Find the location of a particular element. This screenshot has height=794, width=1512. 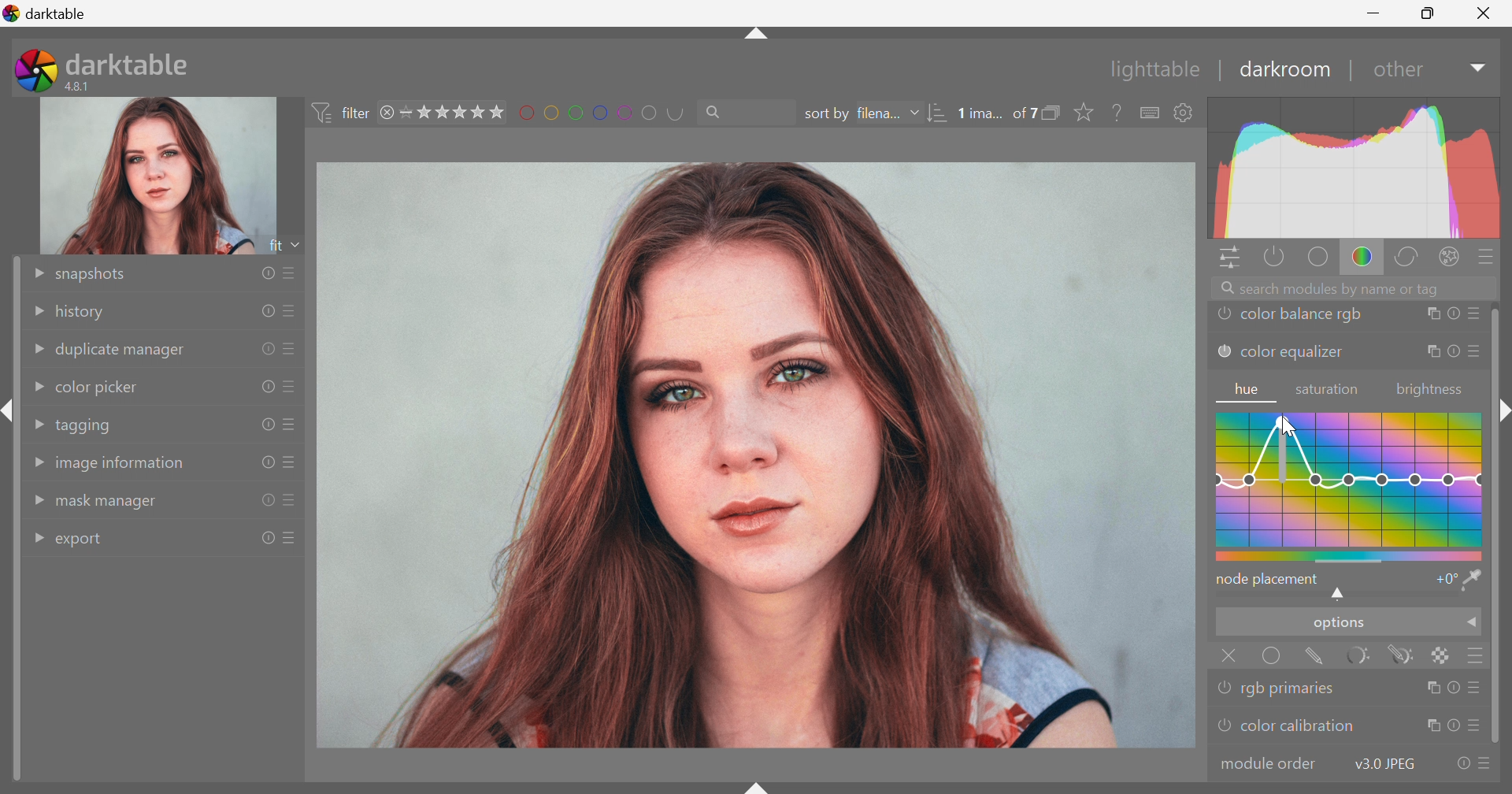

reset is located at coordinates (262, 501).